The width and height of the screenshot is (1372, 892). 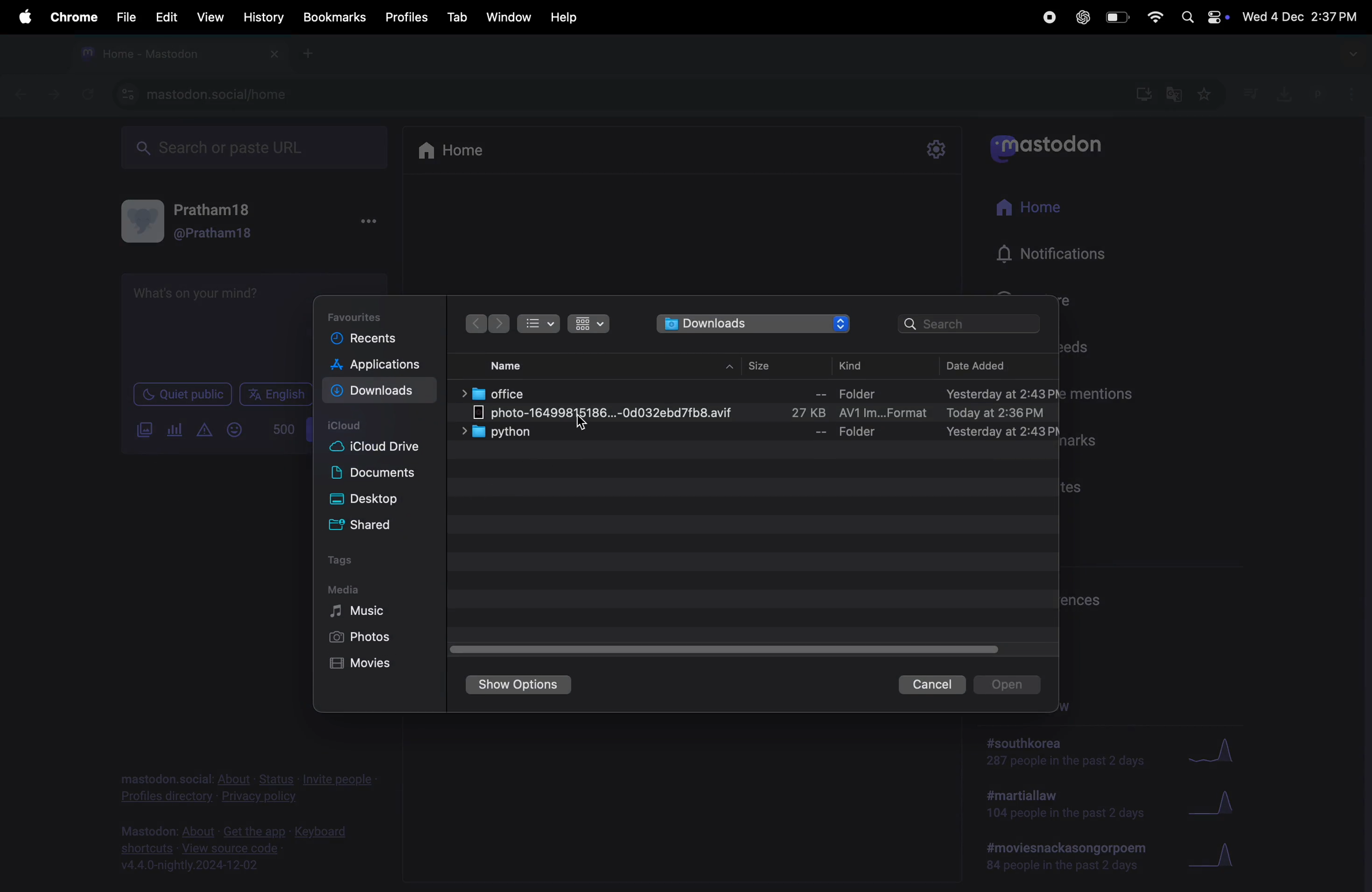 I want to click on apple menu, so click(x=20, y=17).